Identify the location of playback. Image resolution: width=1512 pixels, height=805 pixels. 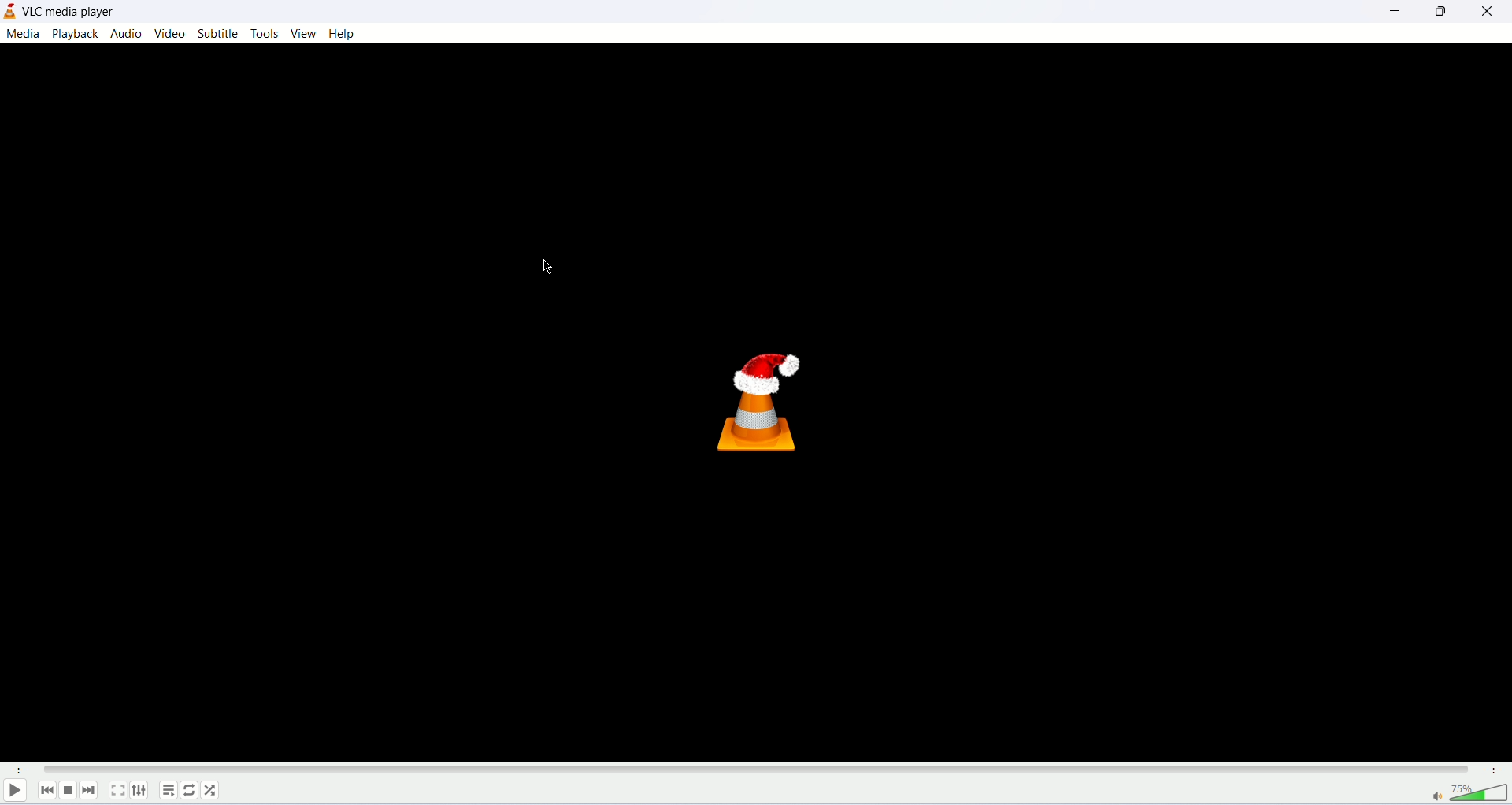
(78, 34).